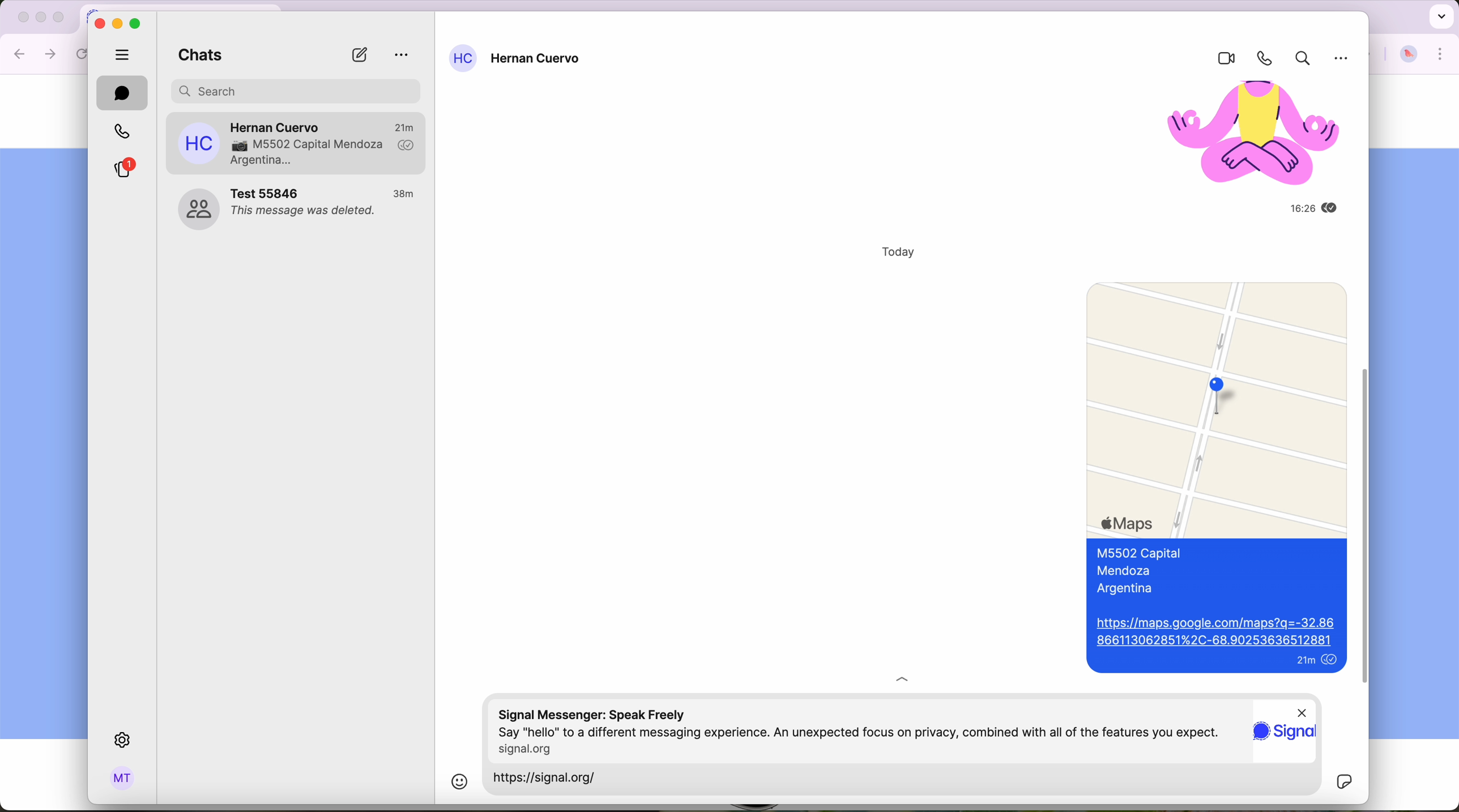  Describe the element at coordinates (36, 53) in the screenshot. I see `navigate arrows` at that location.